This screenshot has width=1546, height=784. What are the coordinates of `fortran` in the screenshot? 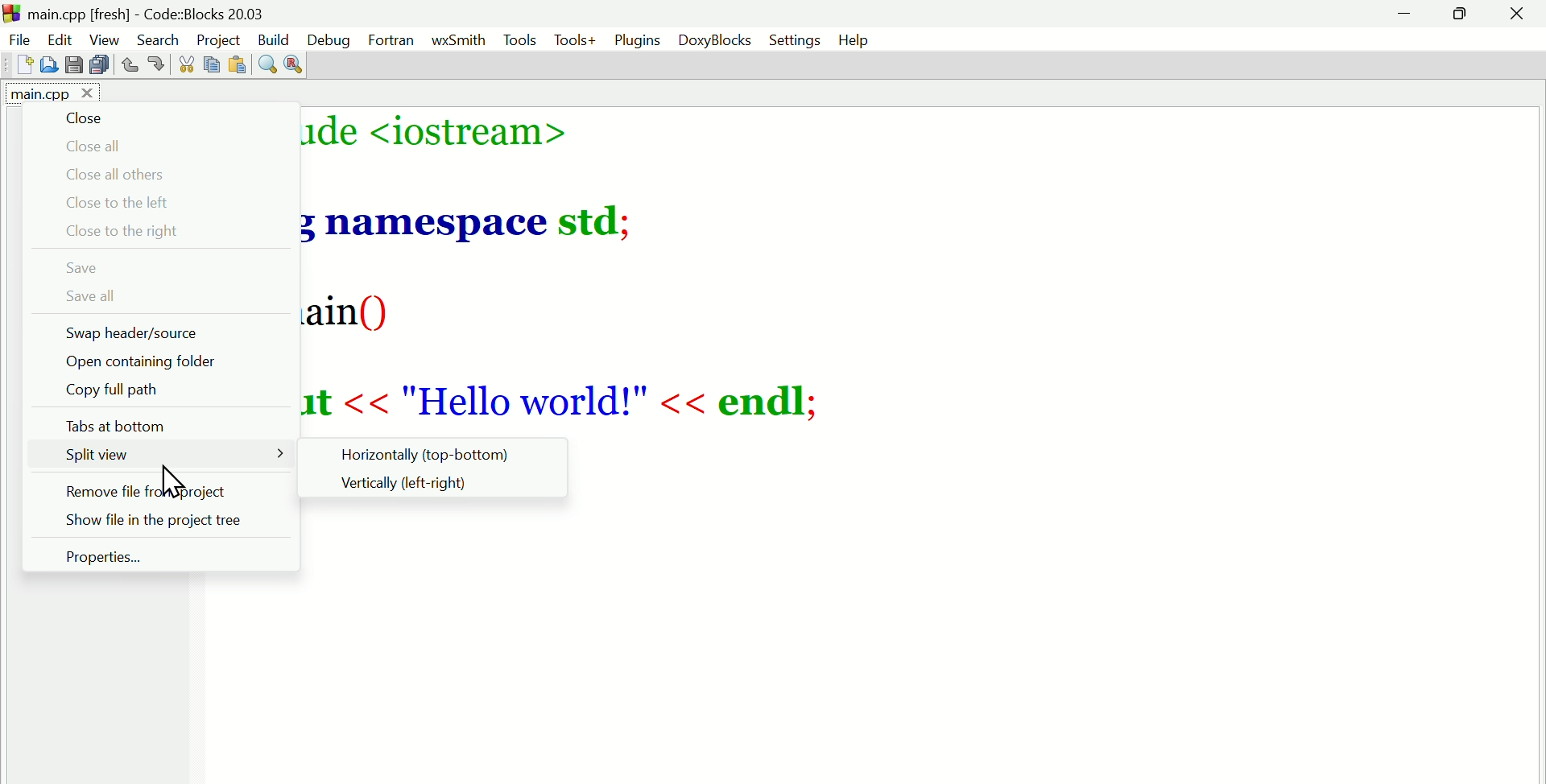 It's located at (391, 41).